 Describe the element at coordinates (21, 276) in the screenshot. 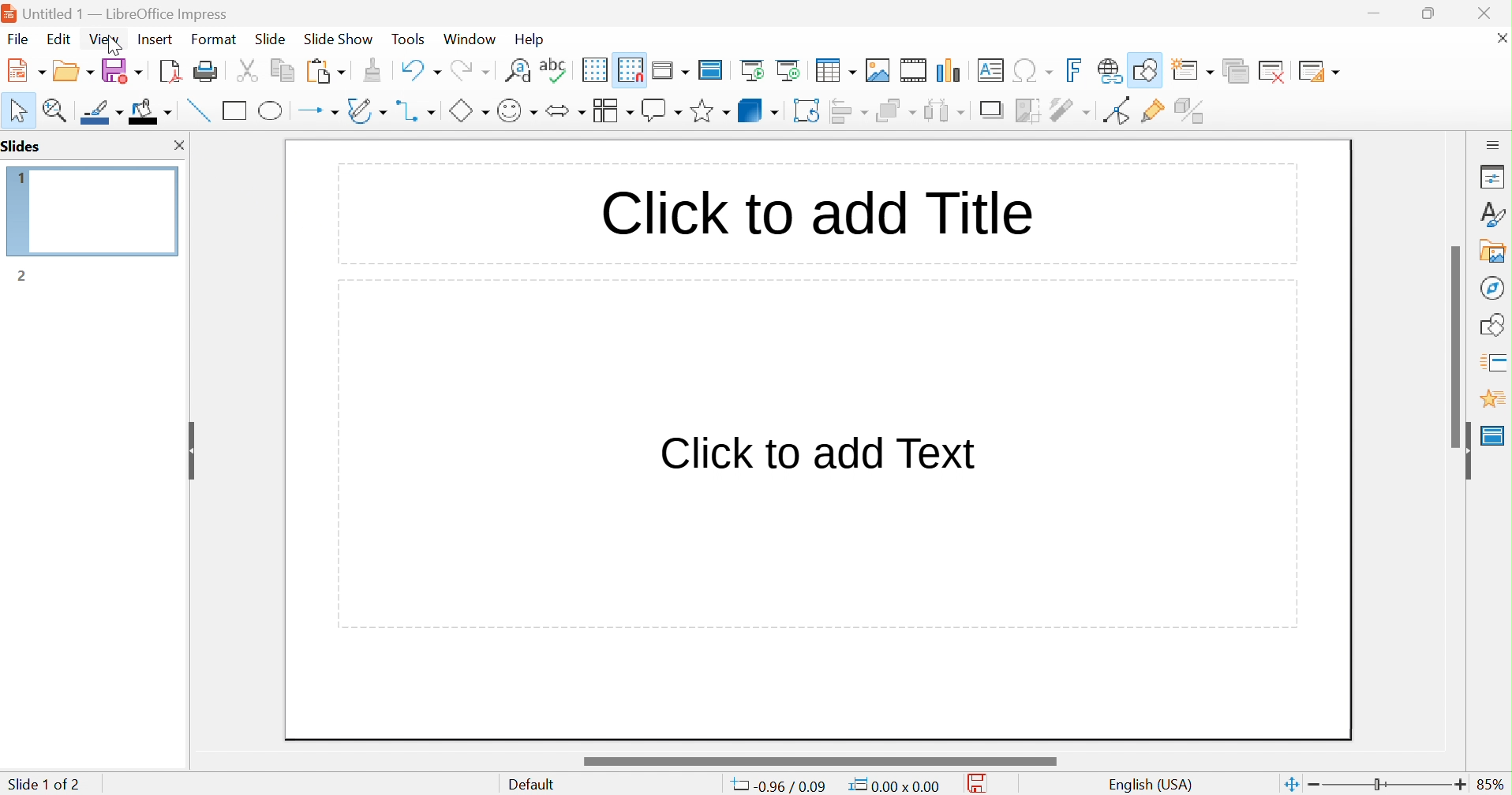

I see `2` at that location.